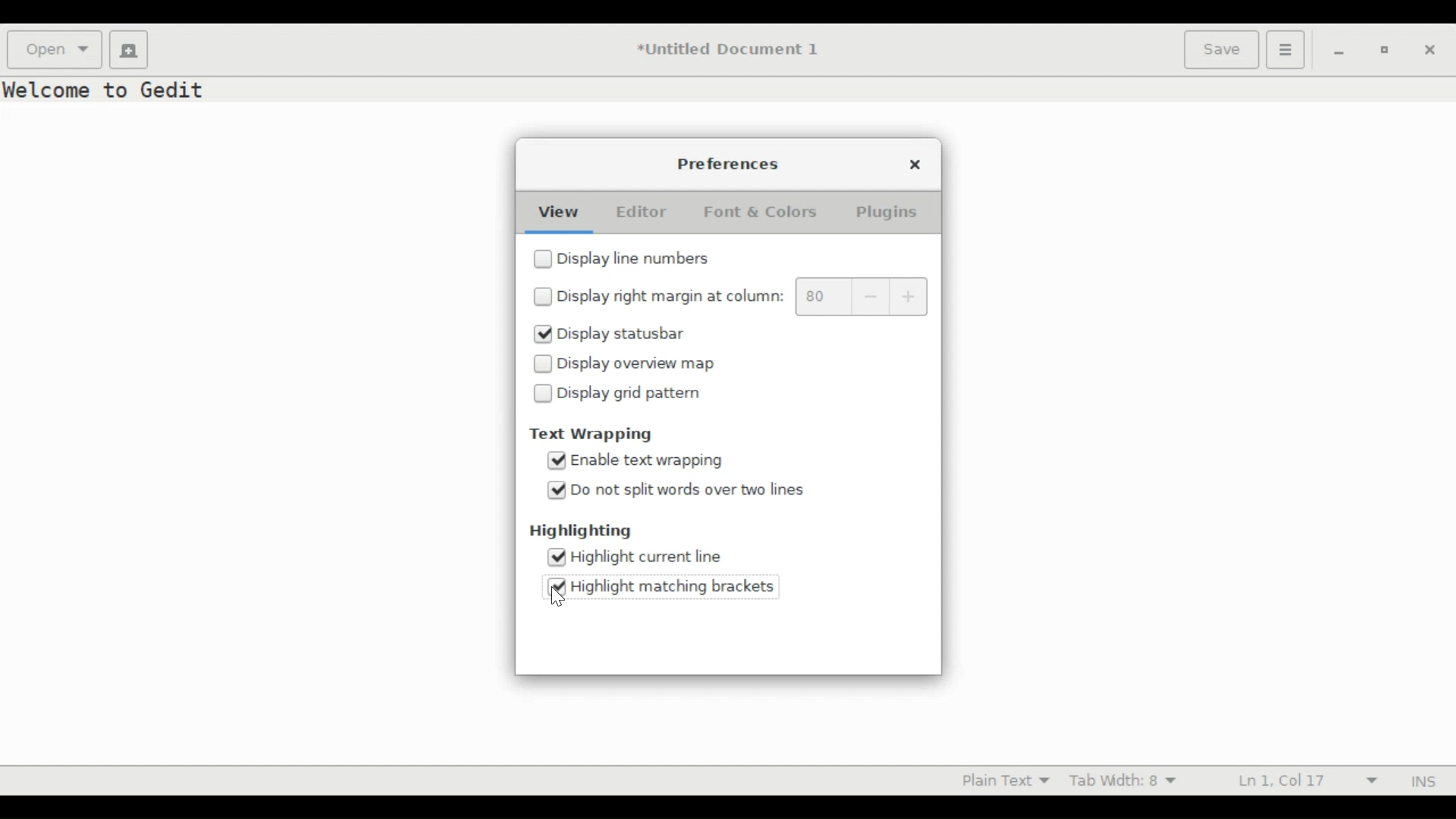 This screenshot has height=819, width=1456. Describe the element at coordinates (909, 297) in the screenshot. I see `increase` at that location.